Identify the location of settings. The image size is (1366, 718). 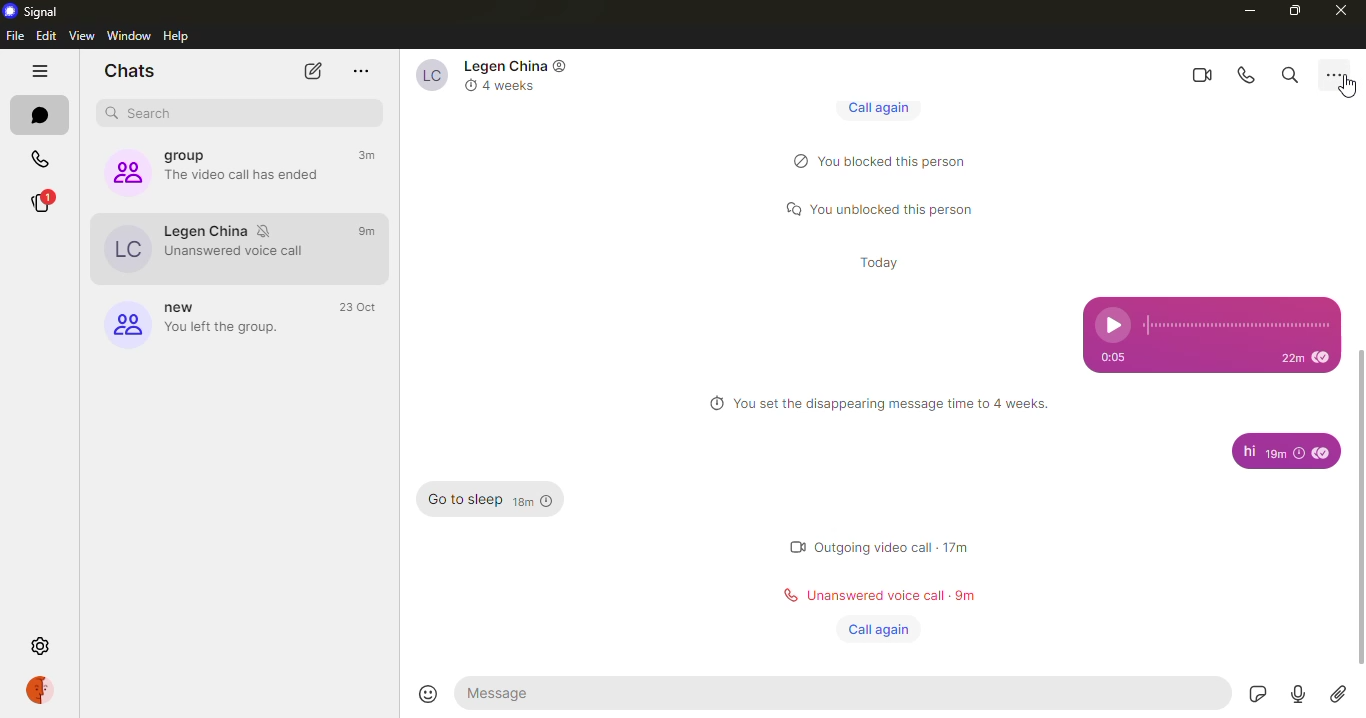
(40, 644).